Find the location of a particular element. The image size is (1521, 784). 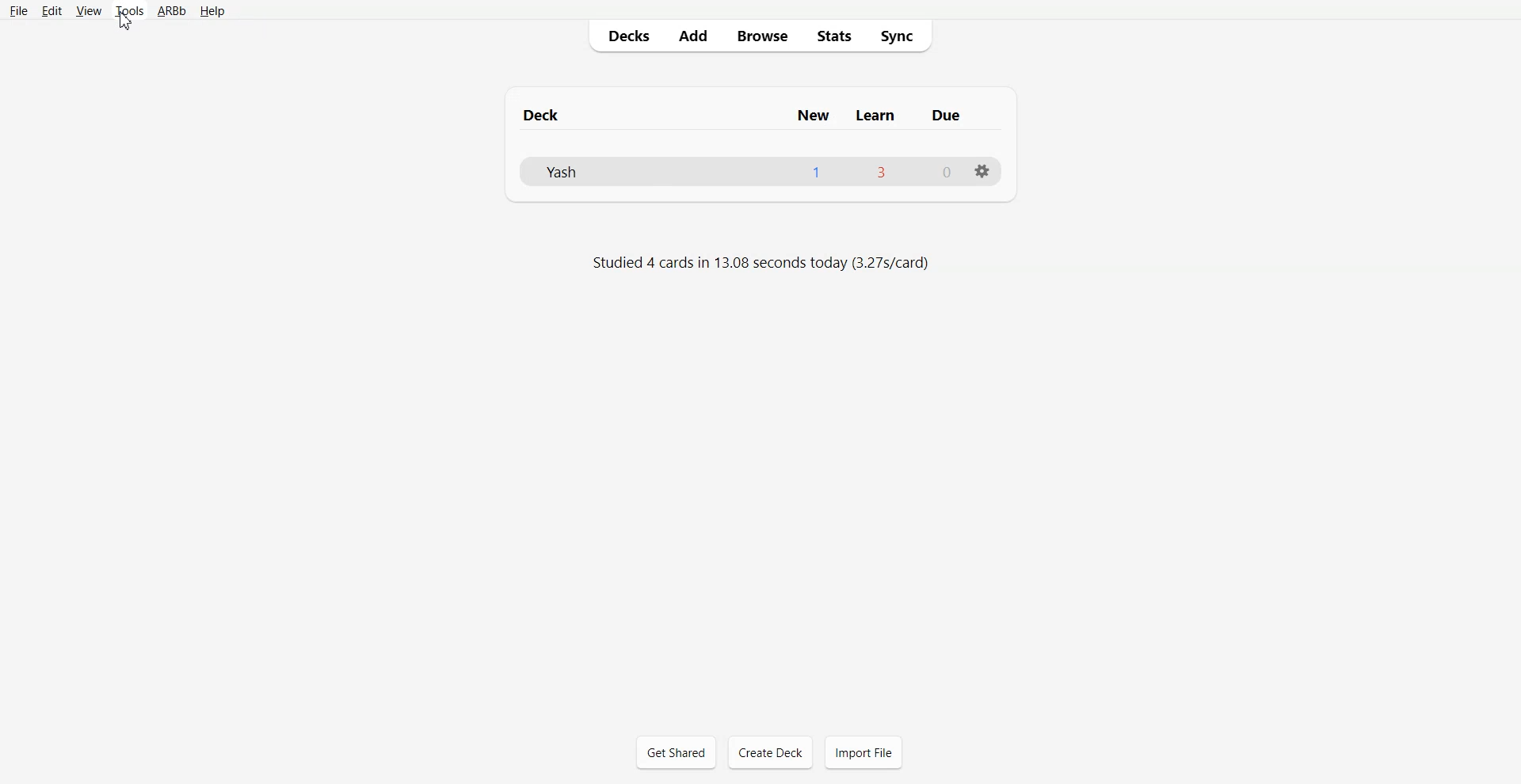

Add is located at coordinates (692, 35).